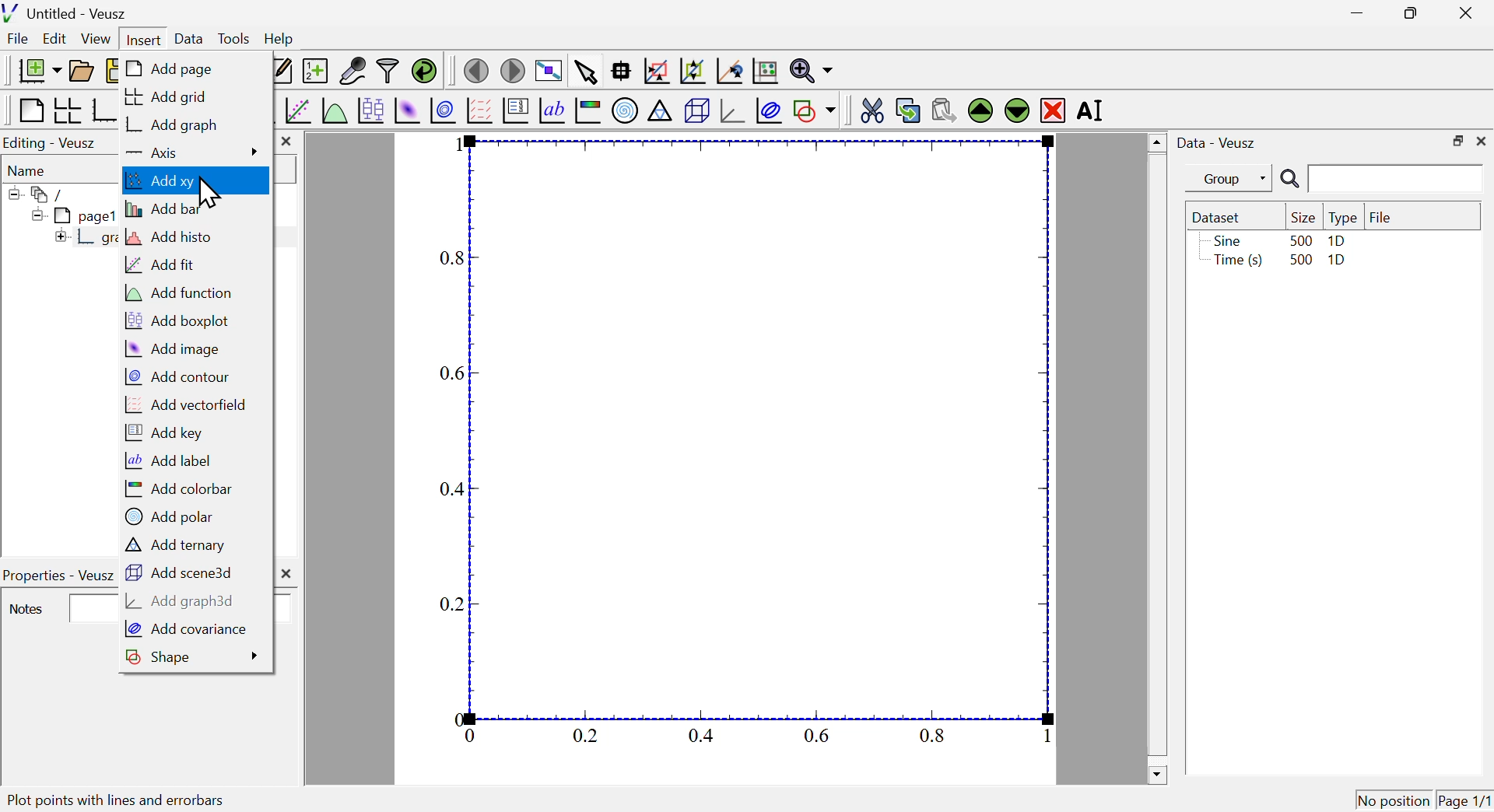  I want to click on Add polar, so click(170, 516).